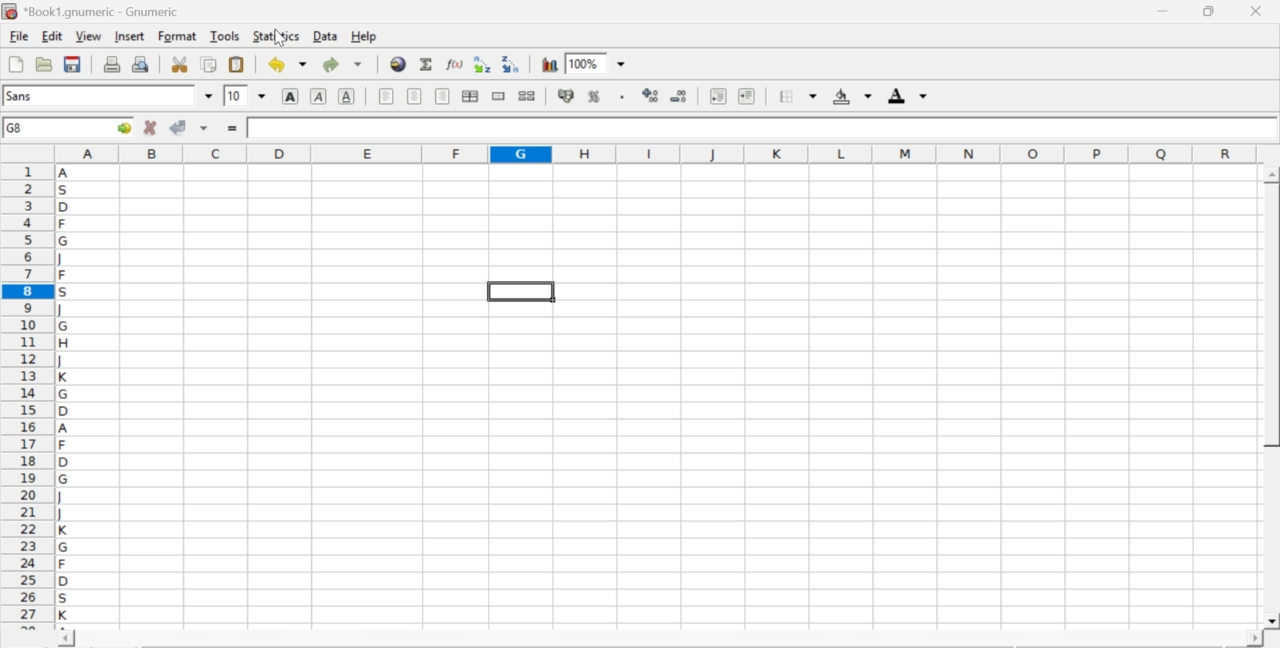 The width and height of the screenshot is (1280, 648). What do you see at coordinates (653, 152) in the screenshot?
I see `column names` at bounding box center [653, 152].